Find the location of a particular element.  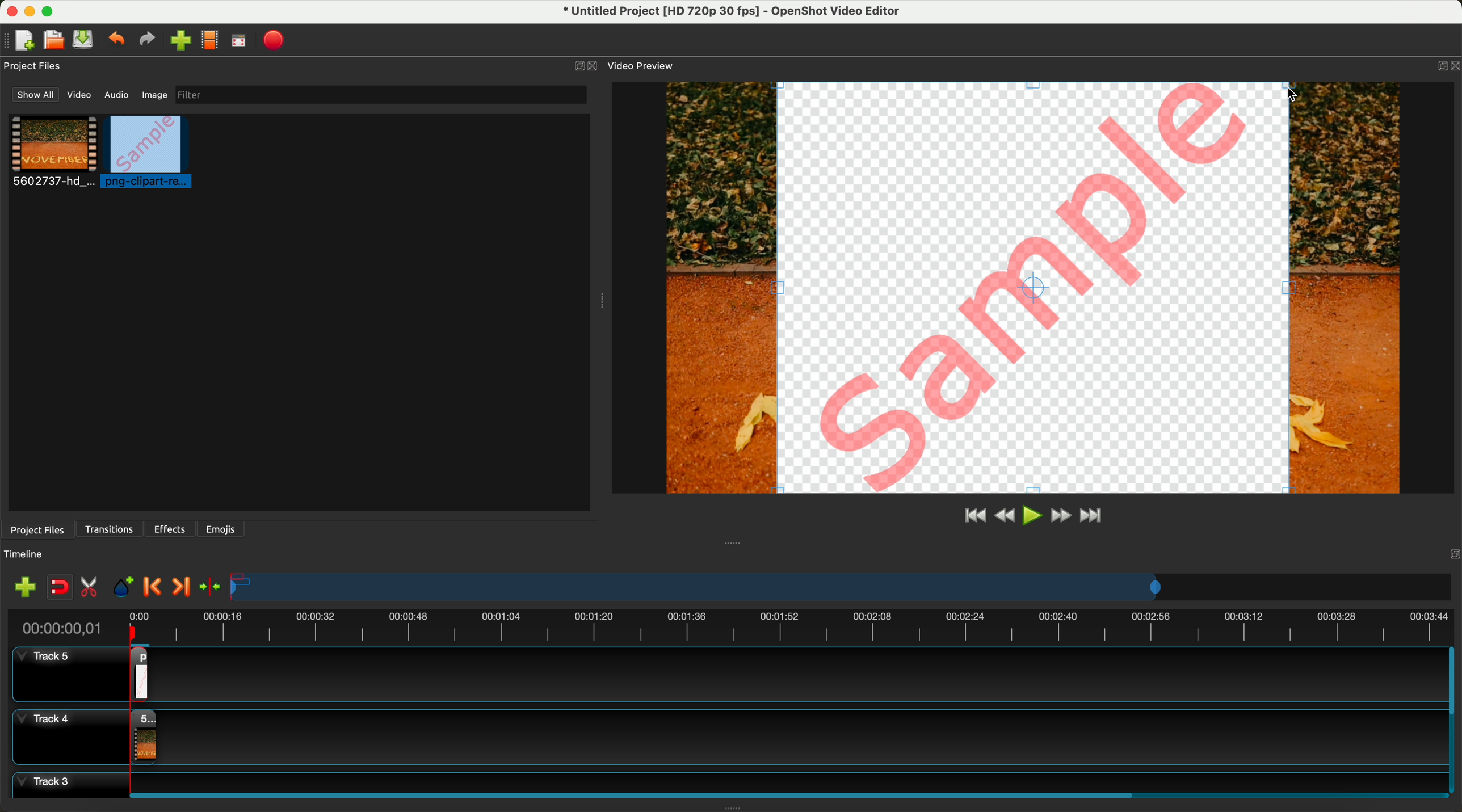

choose profile is located at coordinates (213, 42).